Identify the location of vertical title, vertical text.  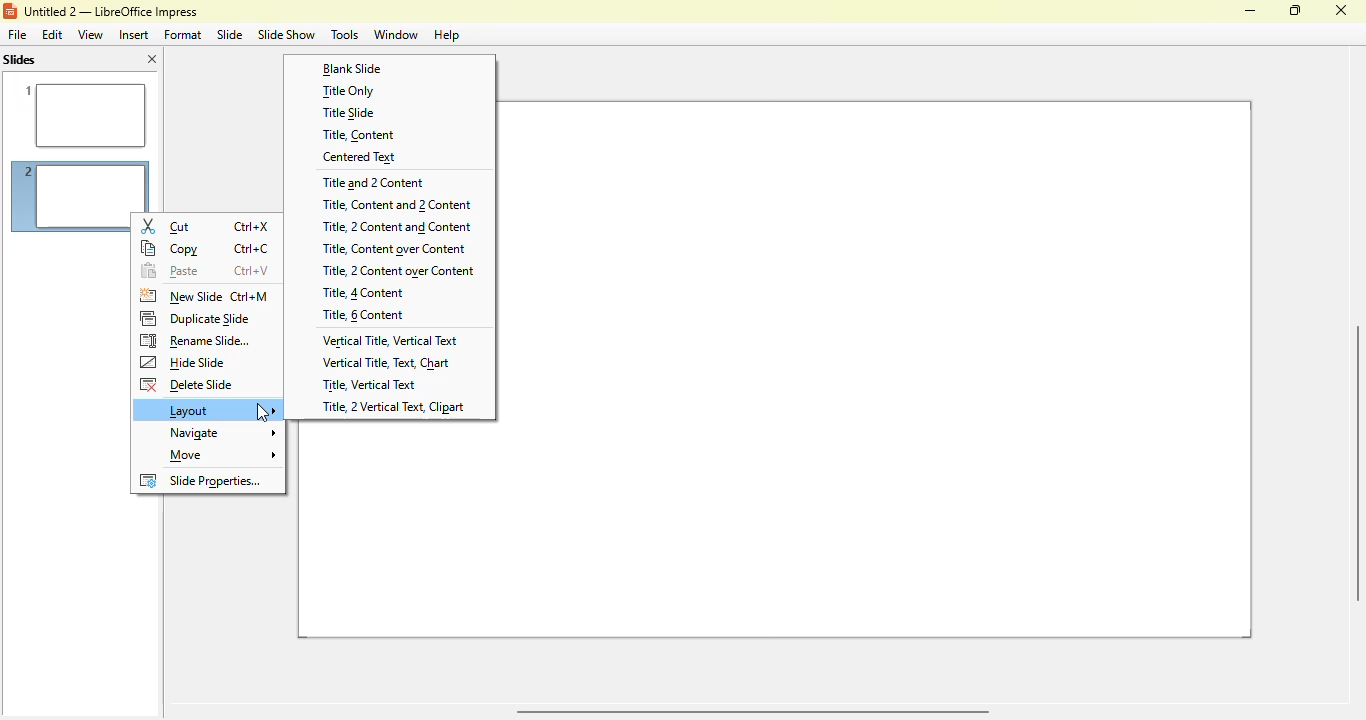
(388, 340).